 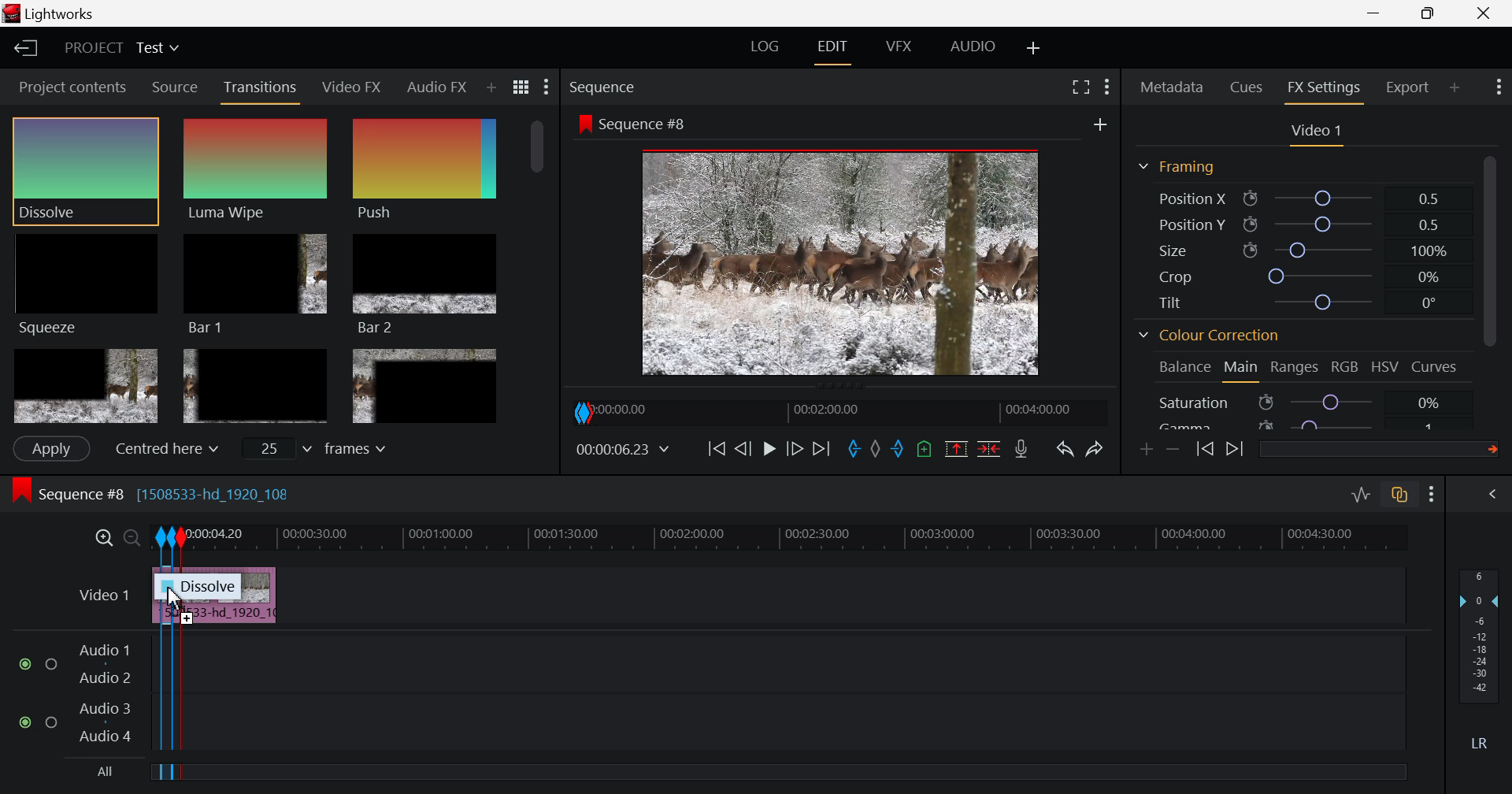 I want to click on Box 5, so click(x=256, y=388).